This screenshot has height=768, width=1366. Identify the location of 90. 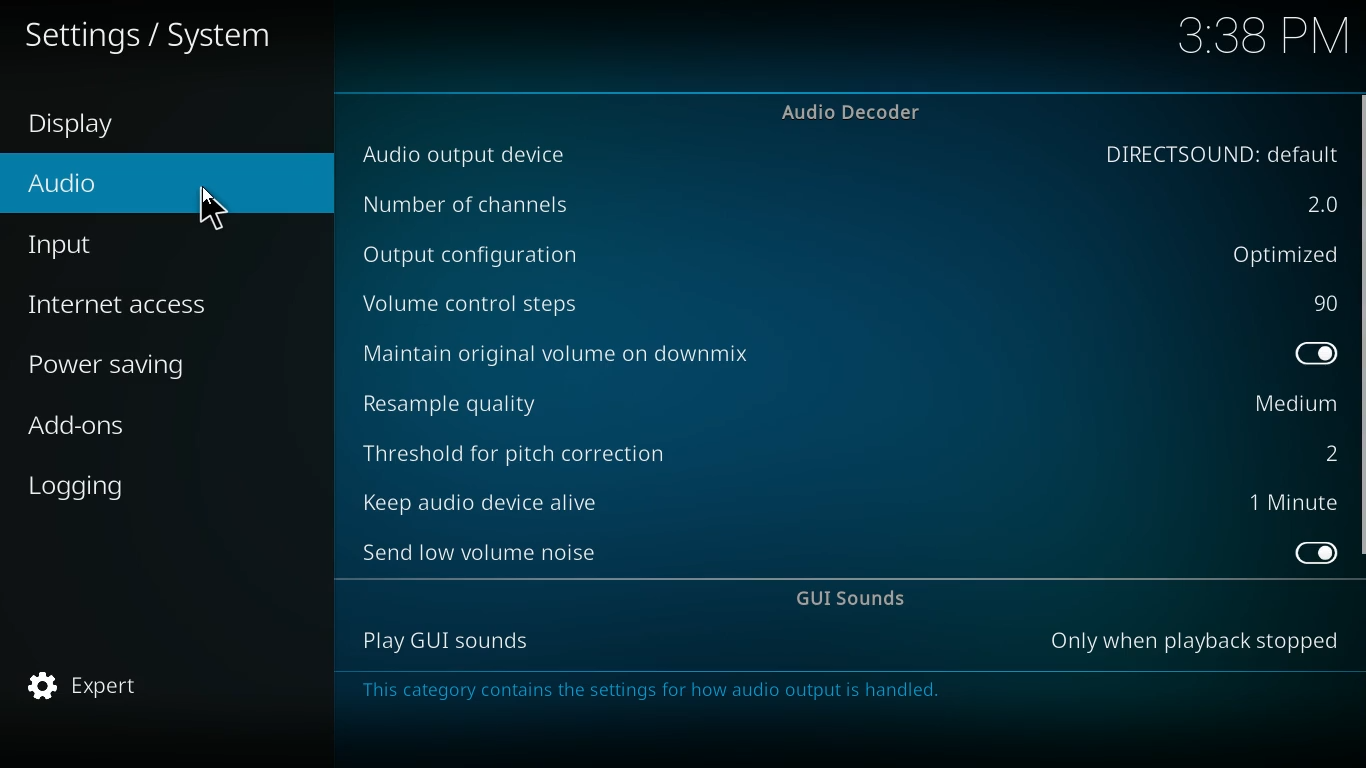
(1321, 304).